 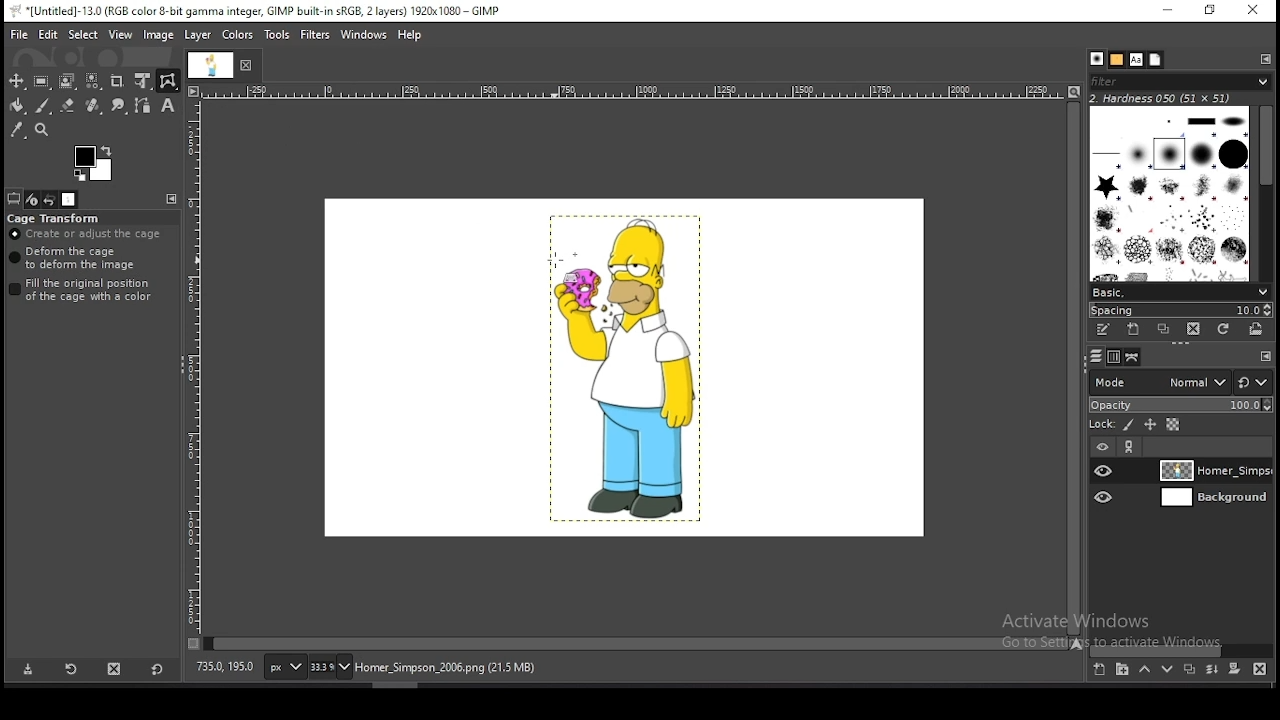 What do you see at coordinates (1189, 672) in the screenshot?
I see `duplicate layer` at bounding box center [1189, 672].